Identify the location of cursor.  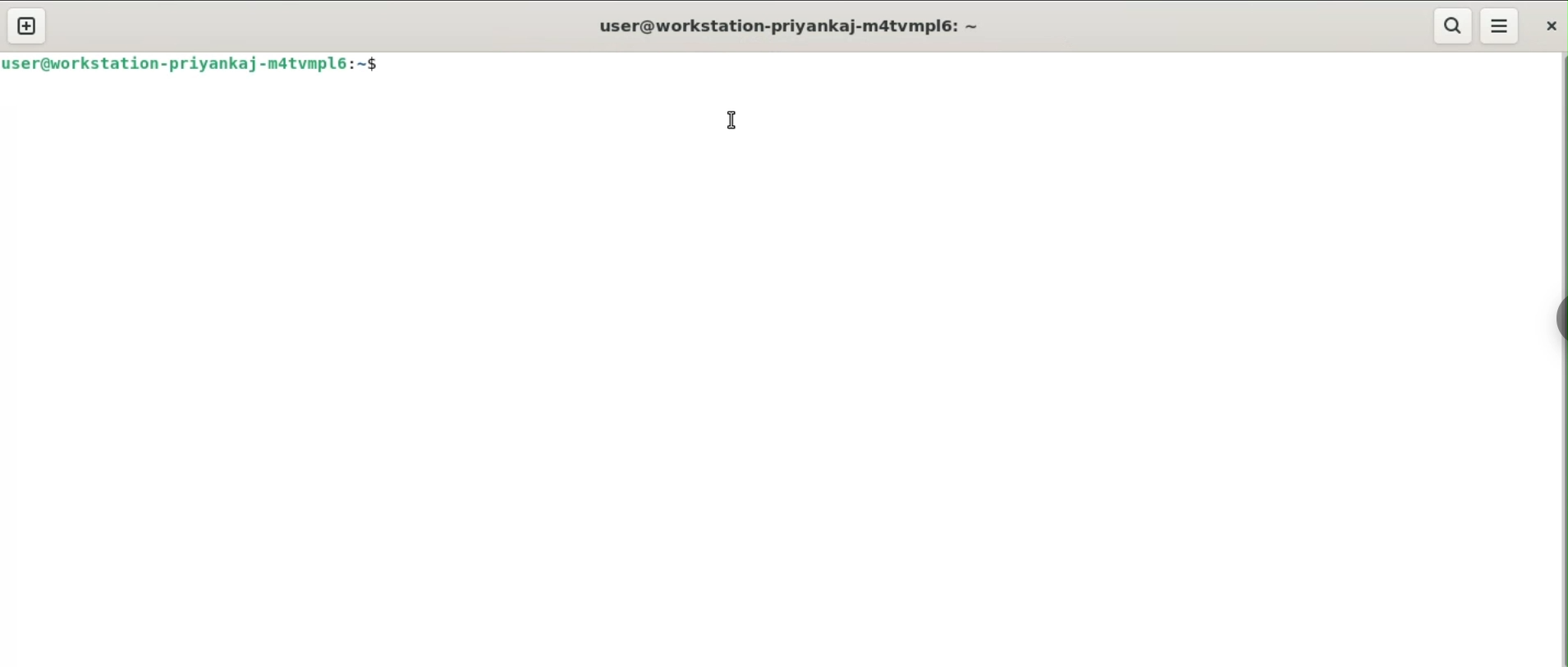
(732, 120).